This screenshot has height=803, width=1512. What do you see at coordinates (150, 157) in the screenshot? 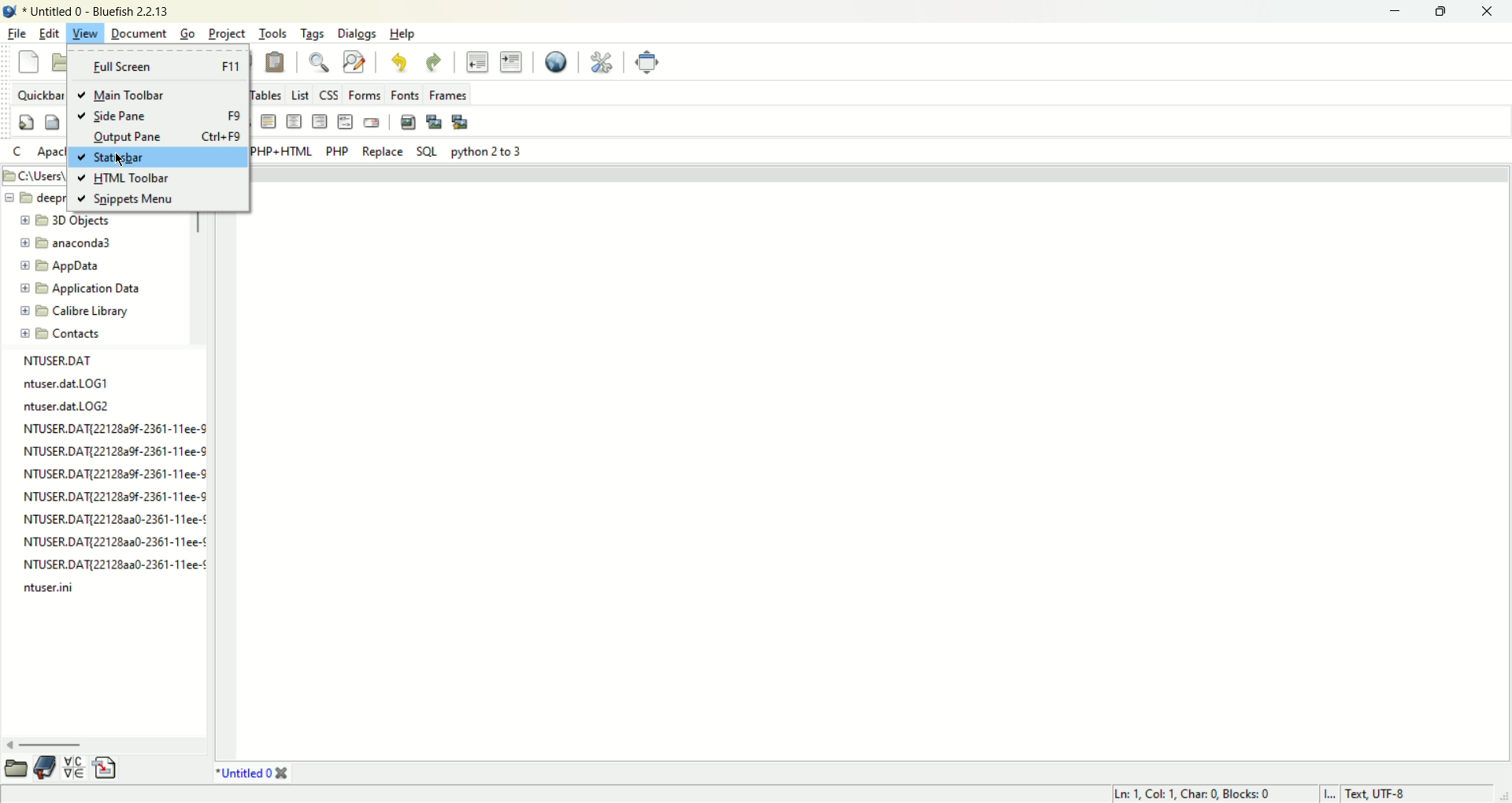
I see `status bar` at bounding box center [150, 157].